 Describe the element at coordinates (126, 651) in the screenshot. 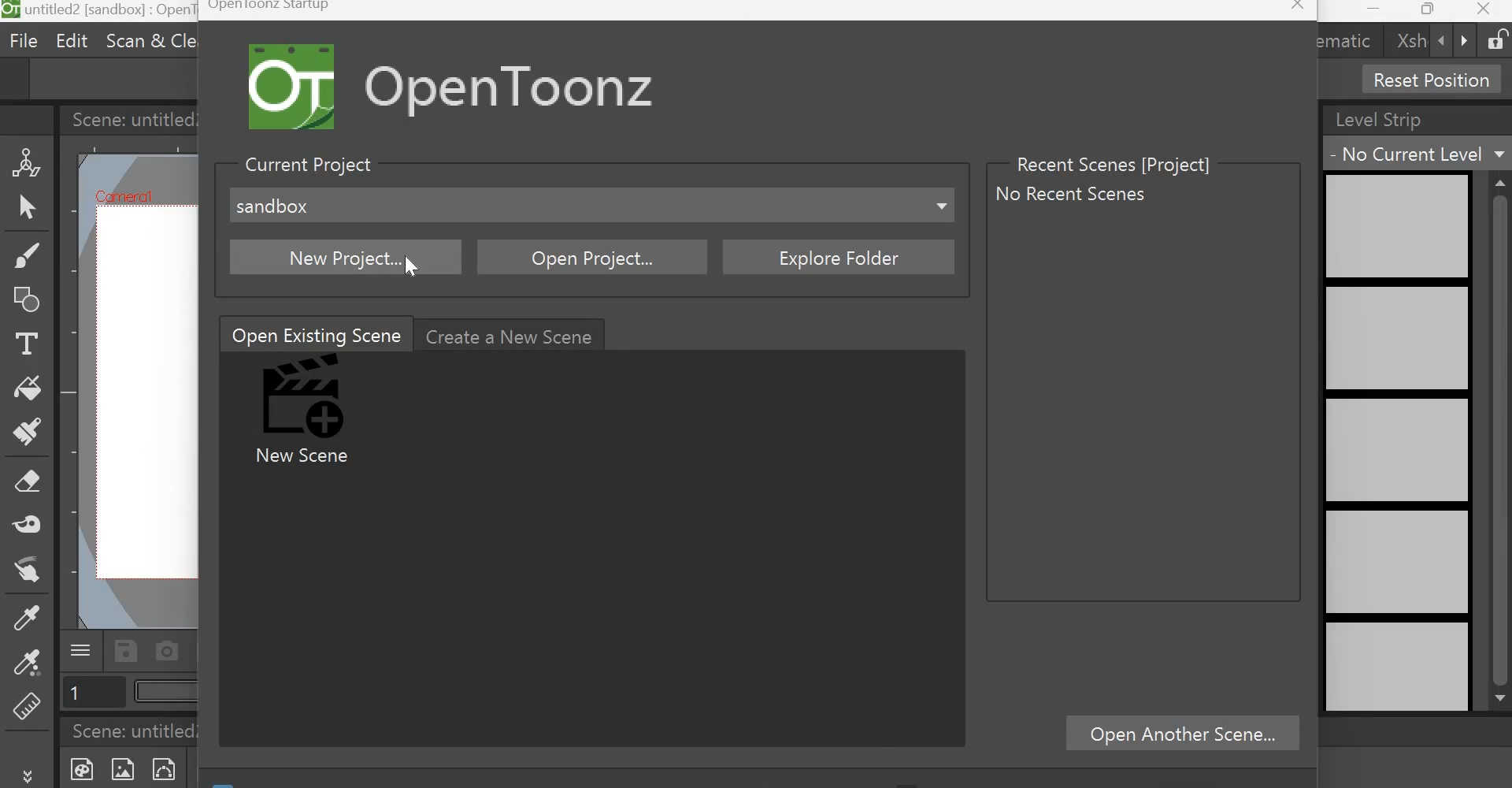

I see `Save scene` at that location.